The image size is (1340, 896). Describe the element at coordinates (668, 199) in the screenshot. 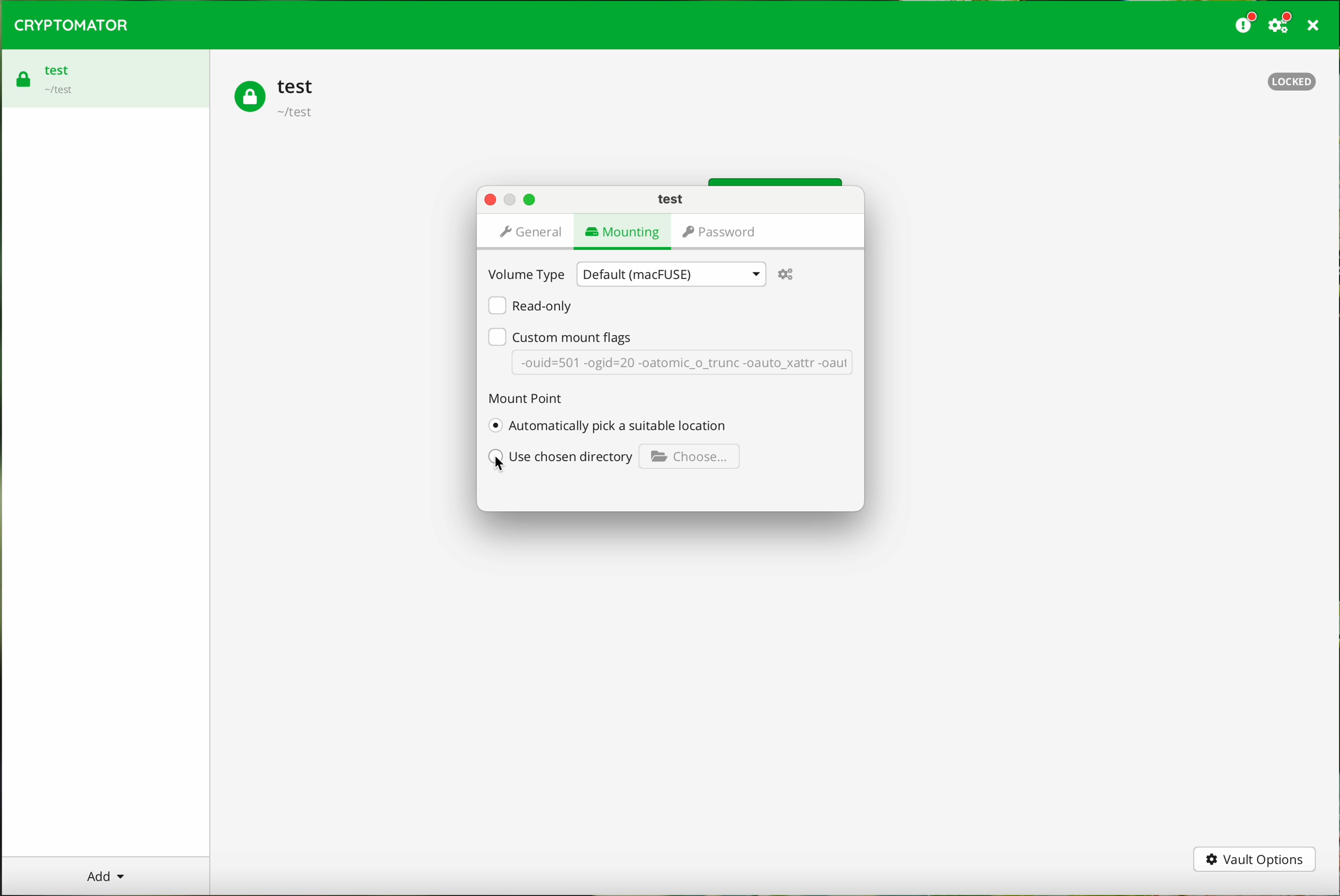

I see `test` at that location.